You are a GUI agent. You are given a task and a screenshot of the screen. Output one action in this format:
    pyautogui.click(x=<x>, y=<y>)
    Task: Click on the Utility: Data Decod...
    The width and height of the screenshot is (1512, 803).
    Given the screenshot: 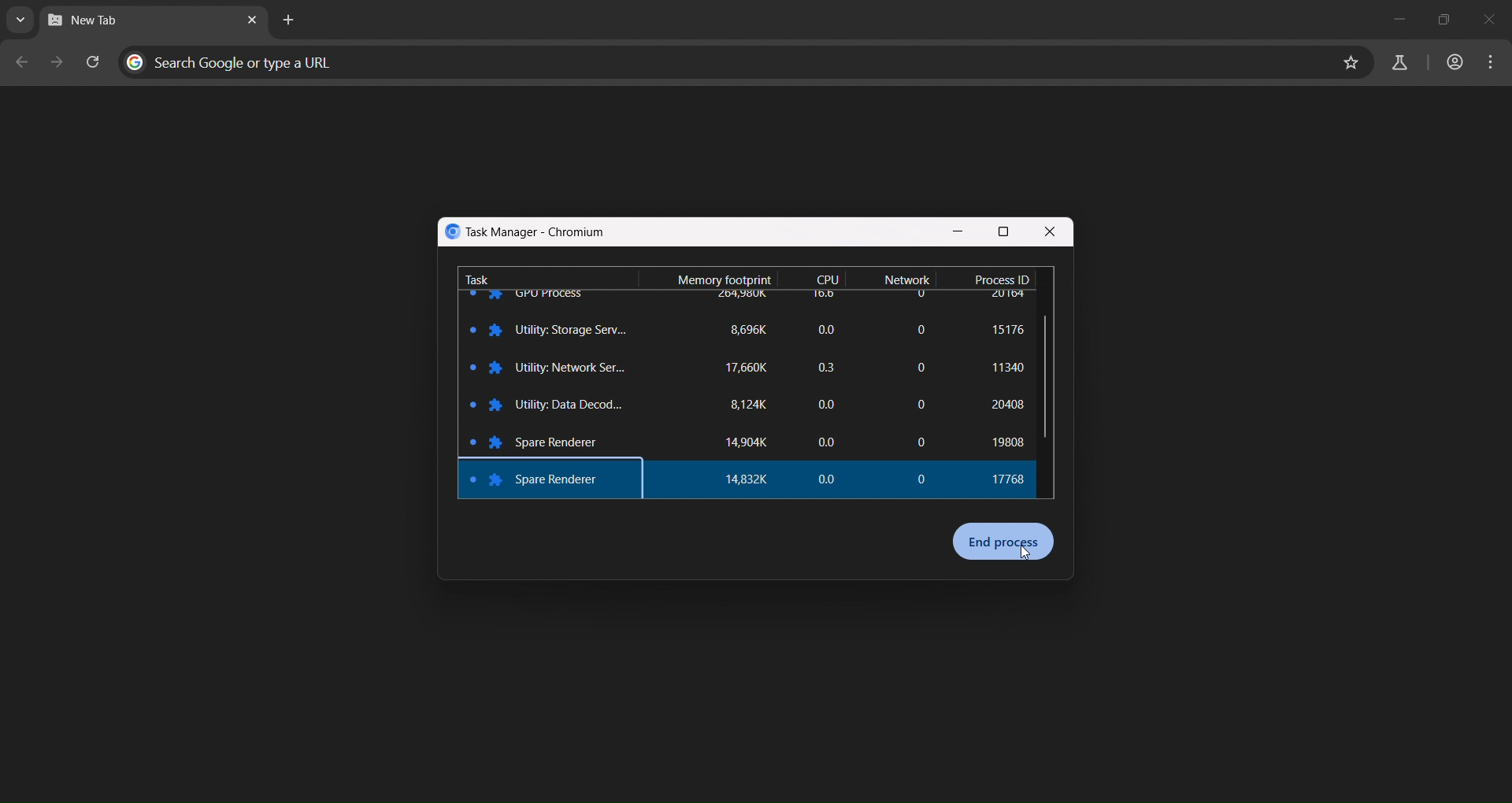 What is the action you would take?
    pyautogui.click(x=576, y=403)
    